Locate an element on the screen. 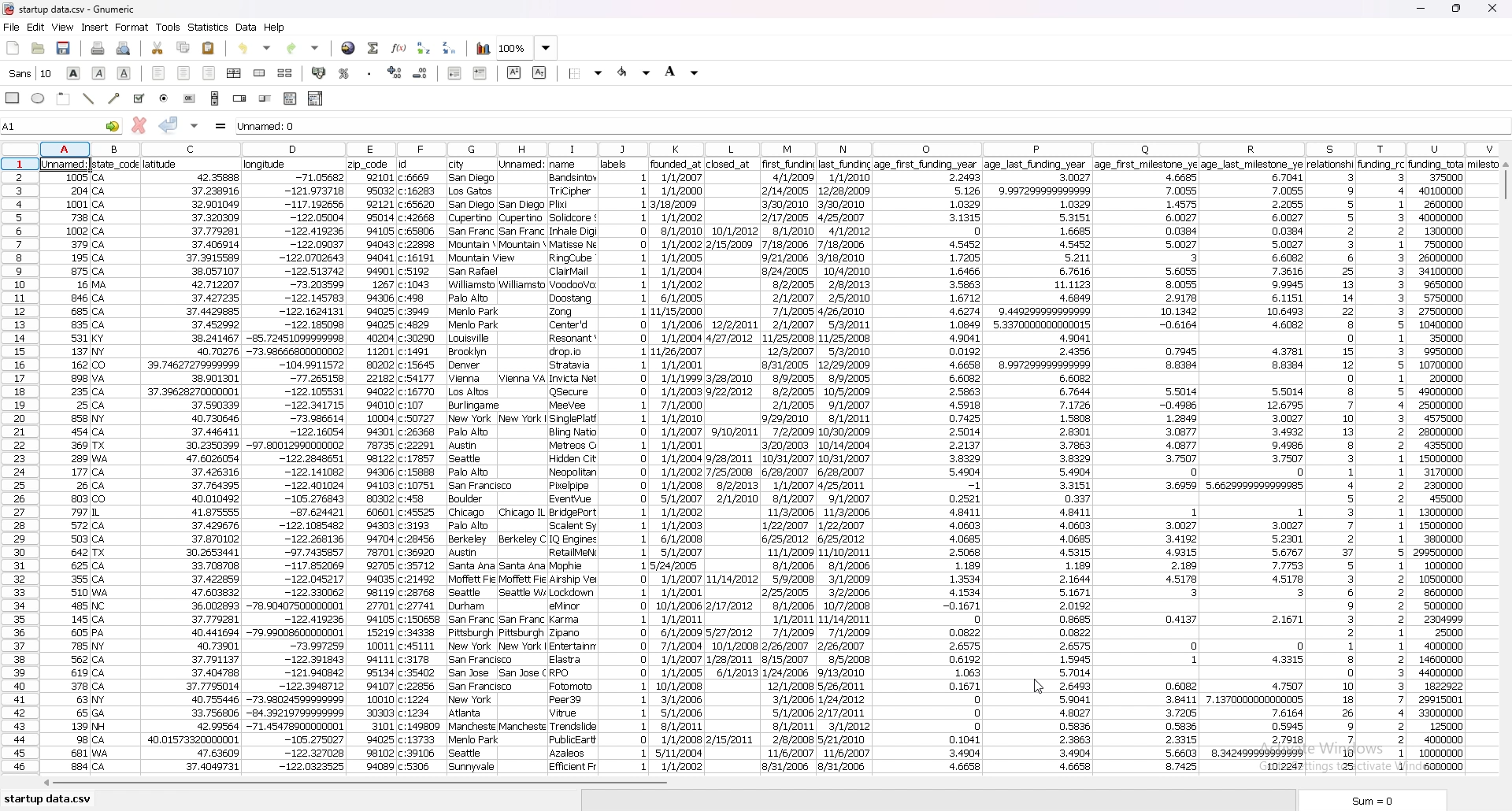  radio button is located at coordinates (165, 98).